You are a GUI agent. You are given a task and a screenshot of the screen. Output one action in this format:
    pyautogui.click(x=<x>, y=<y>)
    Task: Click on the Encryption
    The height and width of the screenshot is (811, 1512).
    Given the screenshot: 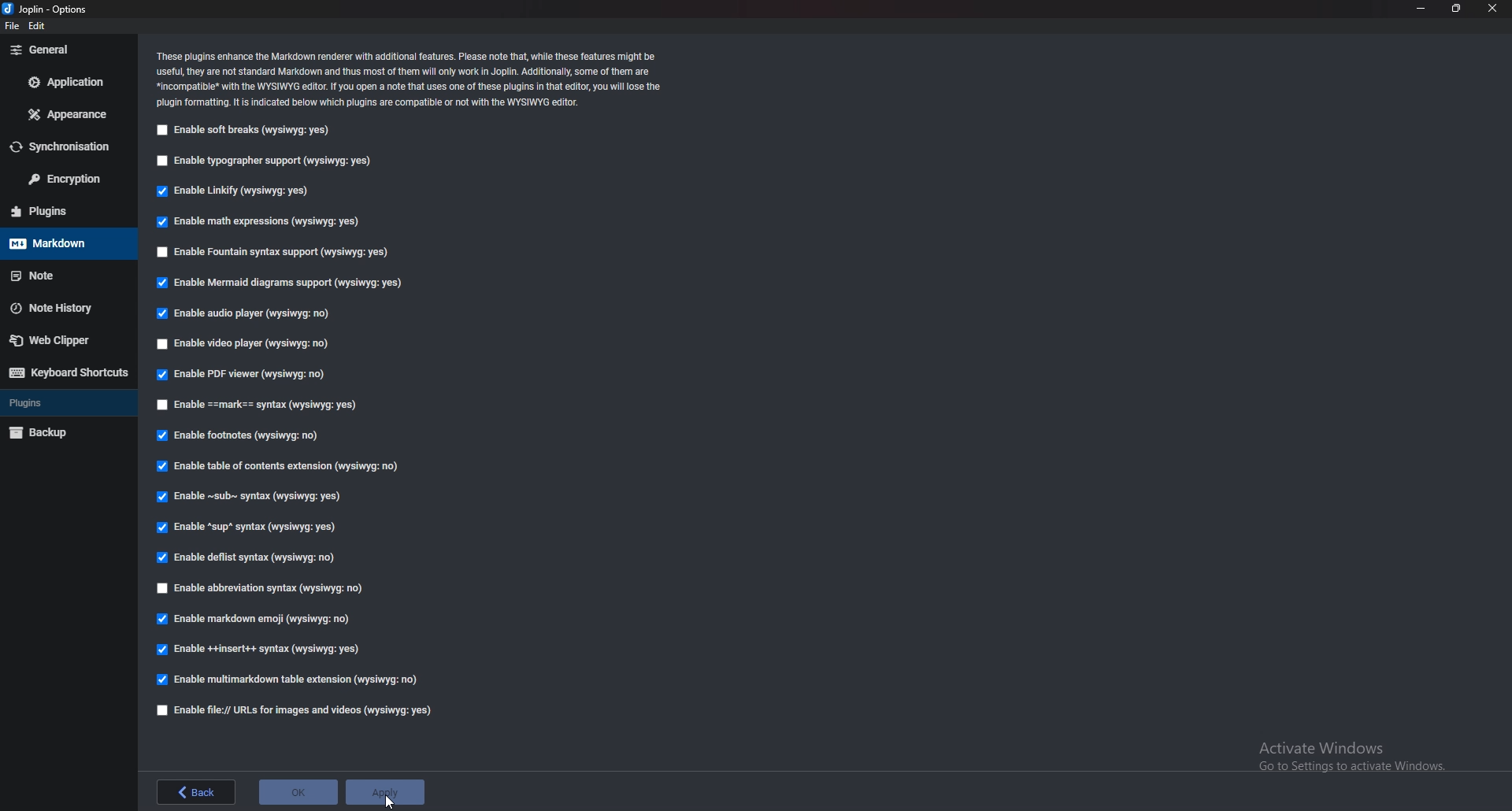 What is the action you would take?
    pyautogui.click(x=69, y=179)
    